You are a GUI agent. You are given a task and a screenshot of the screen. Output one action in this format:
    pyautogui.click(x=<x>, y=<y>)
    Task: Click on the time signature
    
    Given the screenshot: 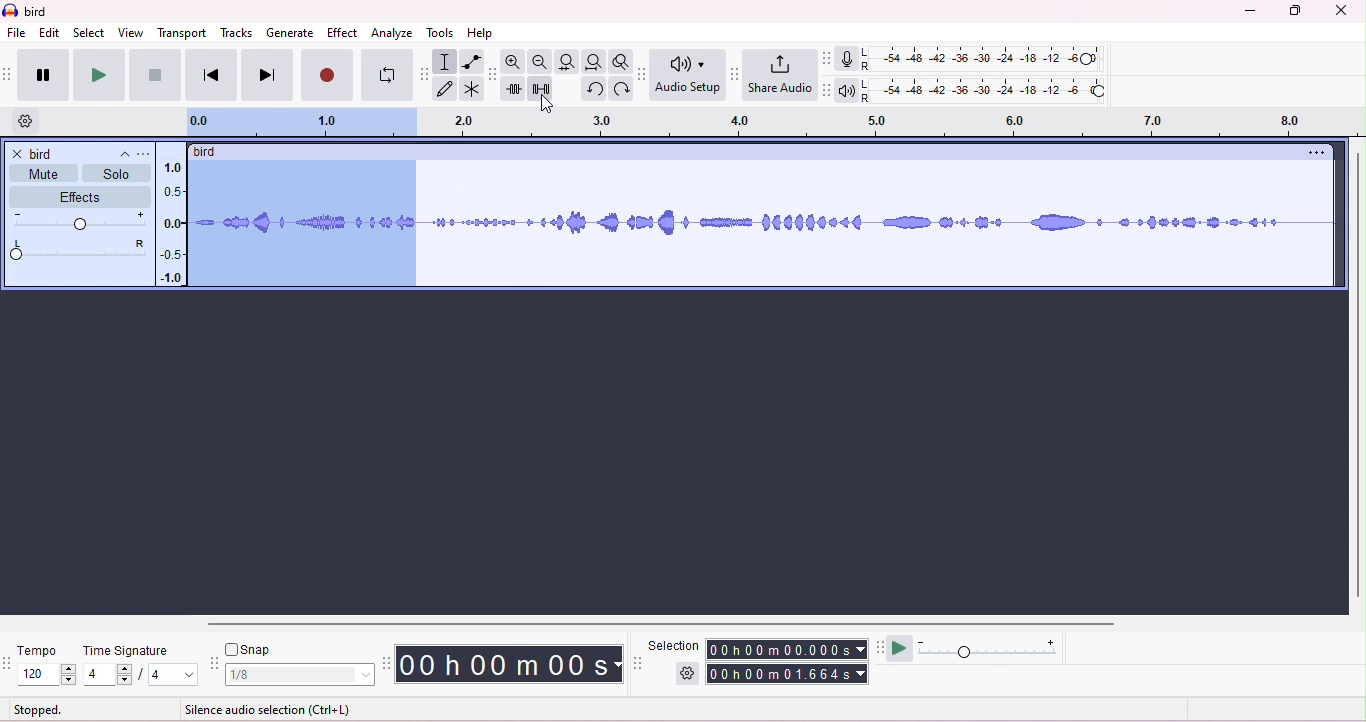 What is the action you would take?
    pyautogui.click(x=129, y=650)
    